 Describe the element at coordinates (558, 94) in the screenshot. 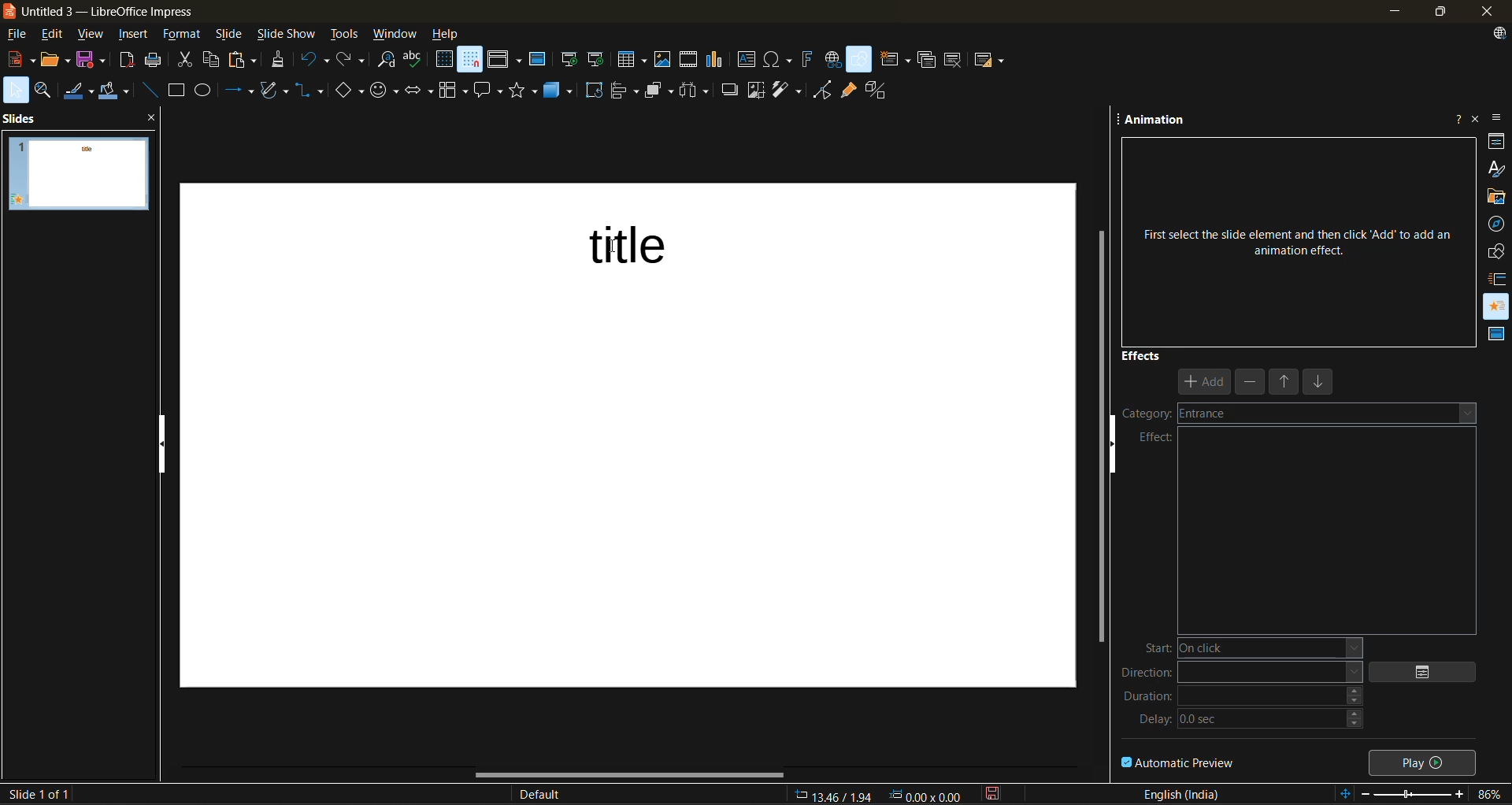

I see `3d objects` at that location.